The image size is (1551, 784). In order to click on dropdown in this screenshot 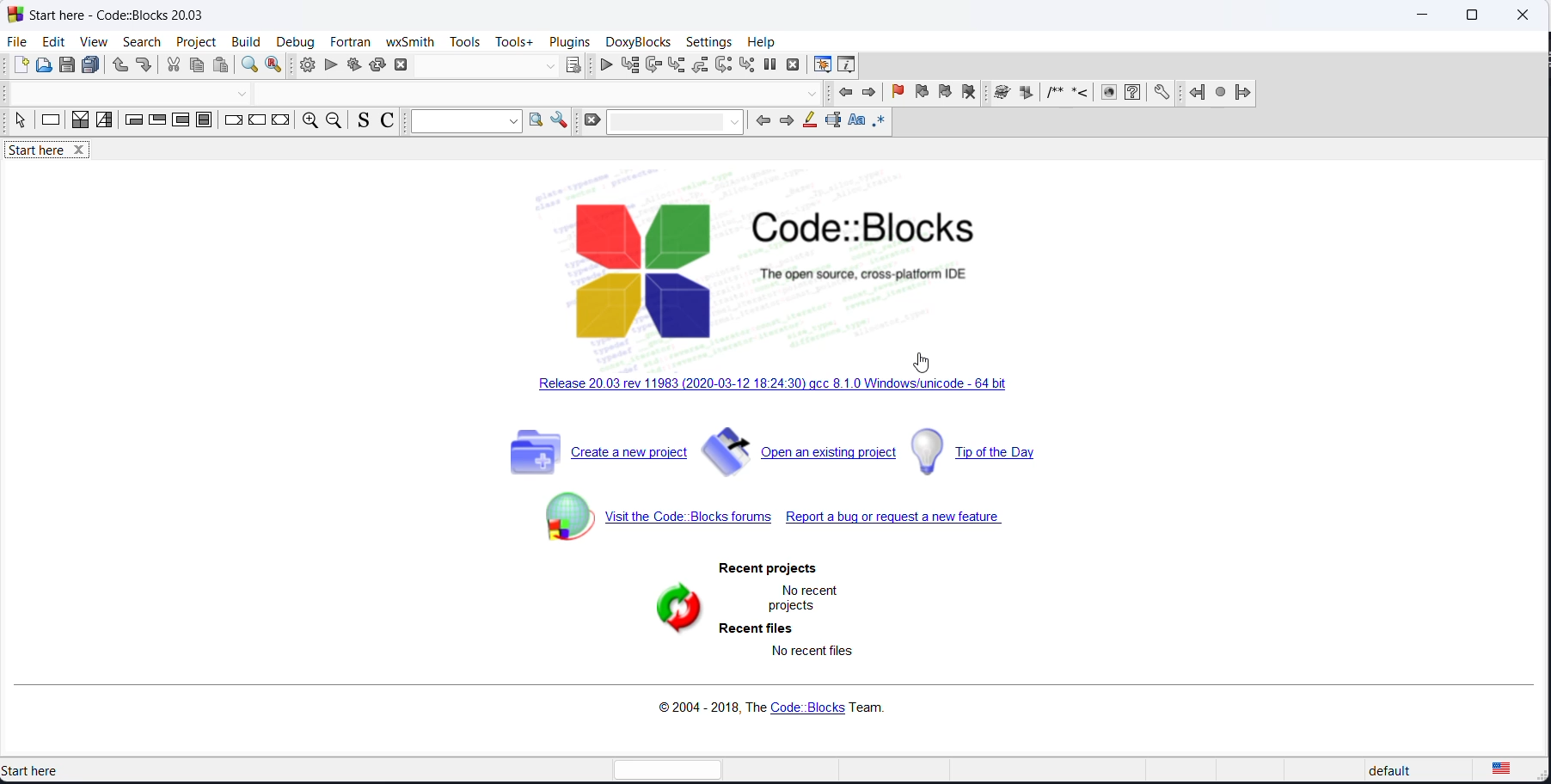, I will do `click(812, 94)`.